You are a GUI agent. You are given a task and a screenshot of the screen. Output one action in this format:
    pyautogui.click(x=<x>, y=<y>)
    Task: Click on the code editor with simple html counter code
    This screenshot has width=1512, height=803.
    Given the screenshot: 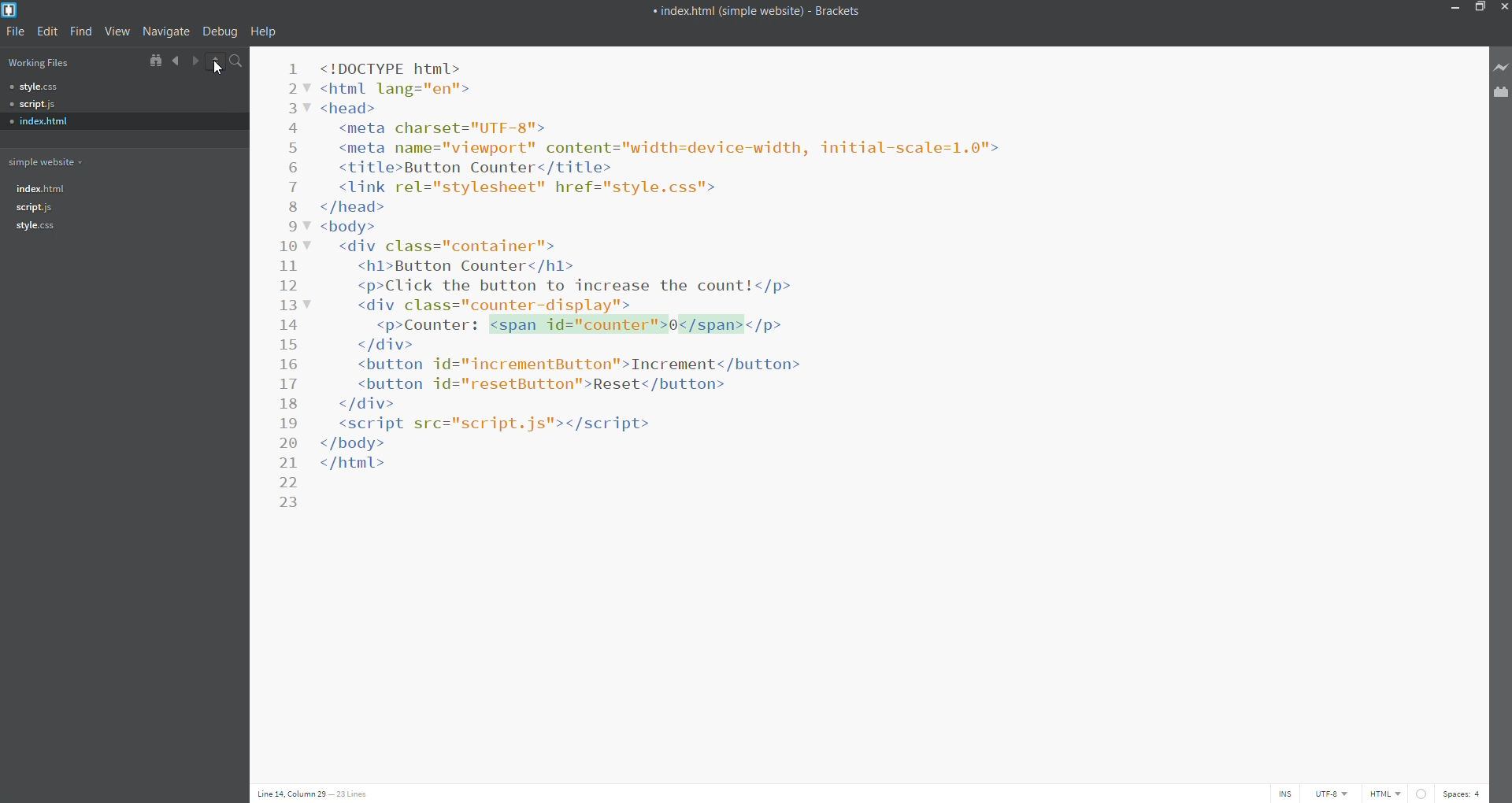 What is the action you would take?
    pyautogui.click(x=887, y=387)
    